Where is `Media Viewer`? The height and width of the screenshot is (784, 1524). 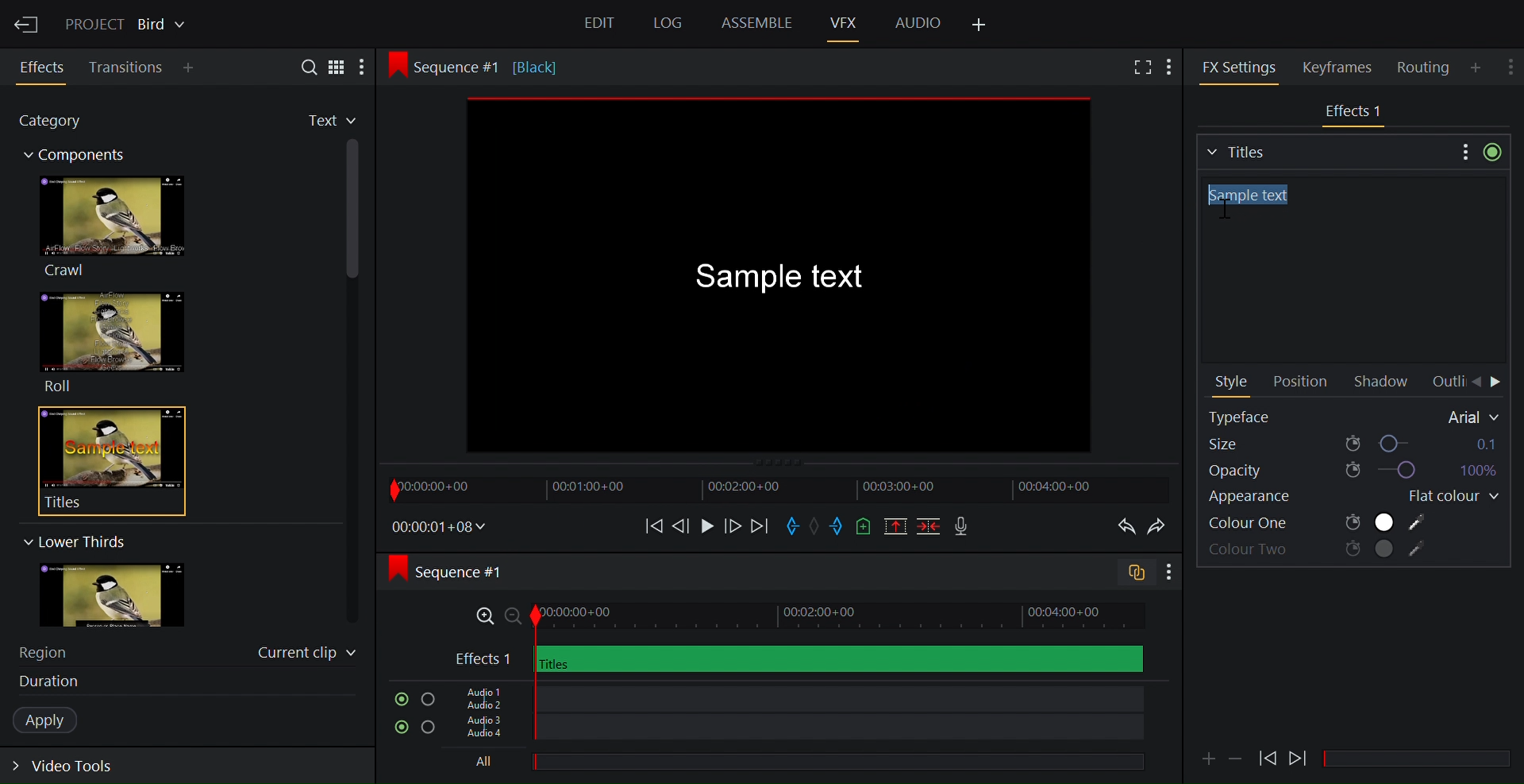
Media Viewer is located at coordinates (783, 278).